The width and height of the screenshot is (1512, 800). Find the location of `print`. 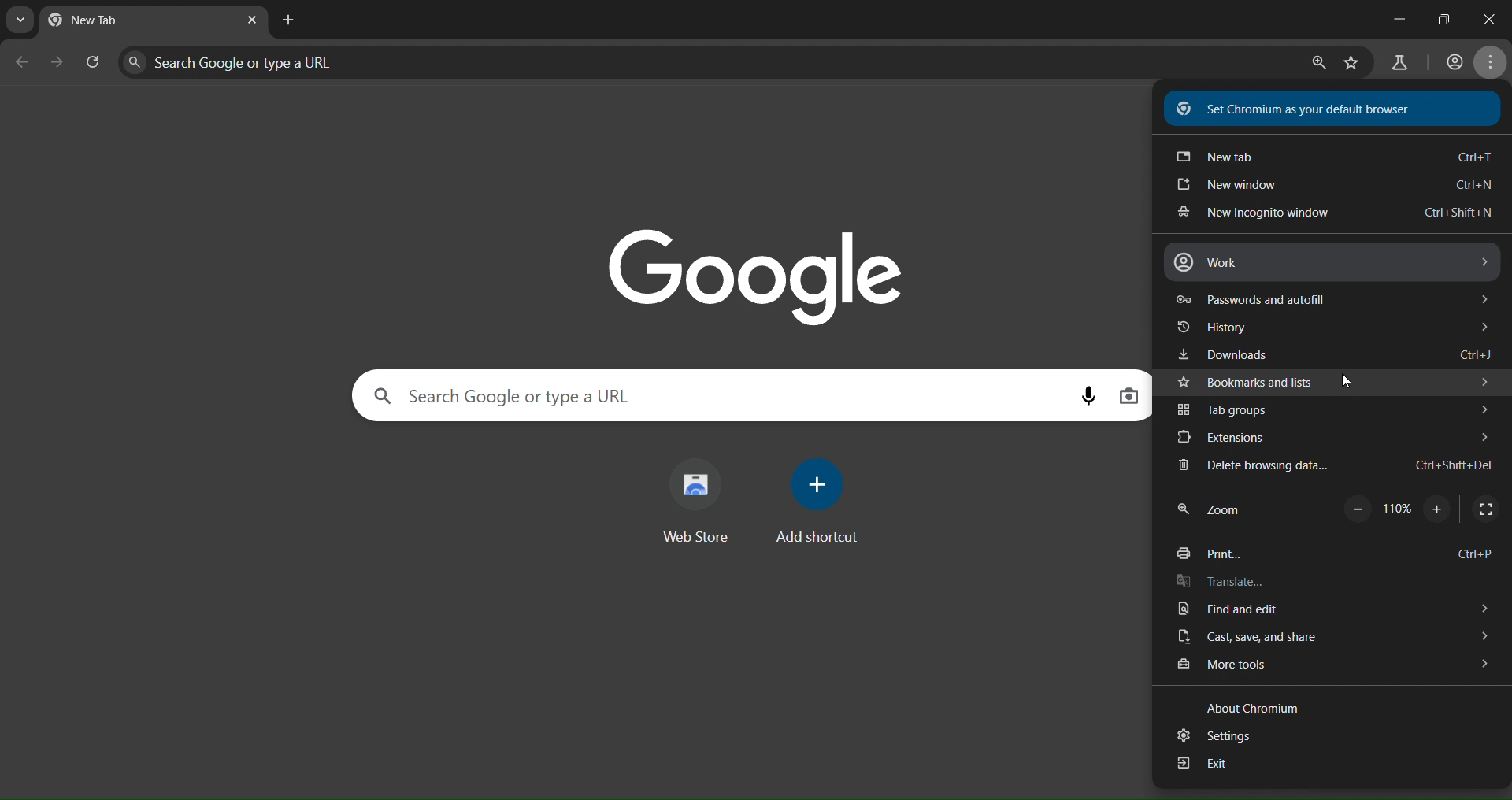

print is located at coordinates (1334, 554).